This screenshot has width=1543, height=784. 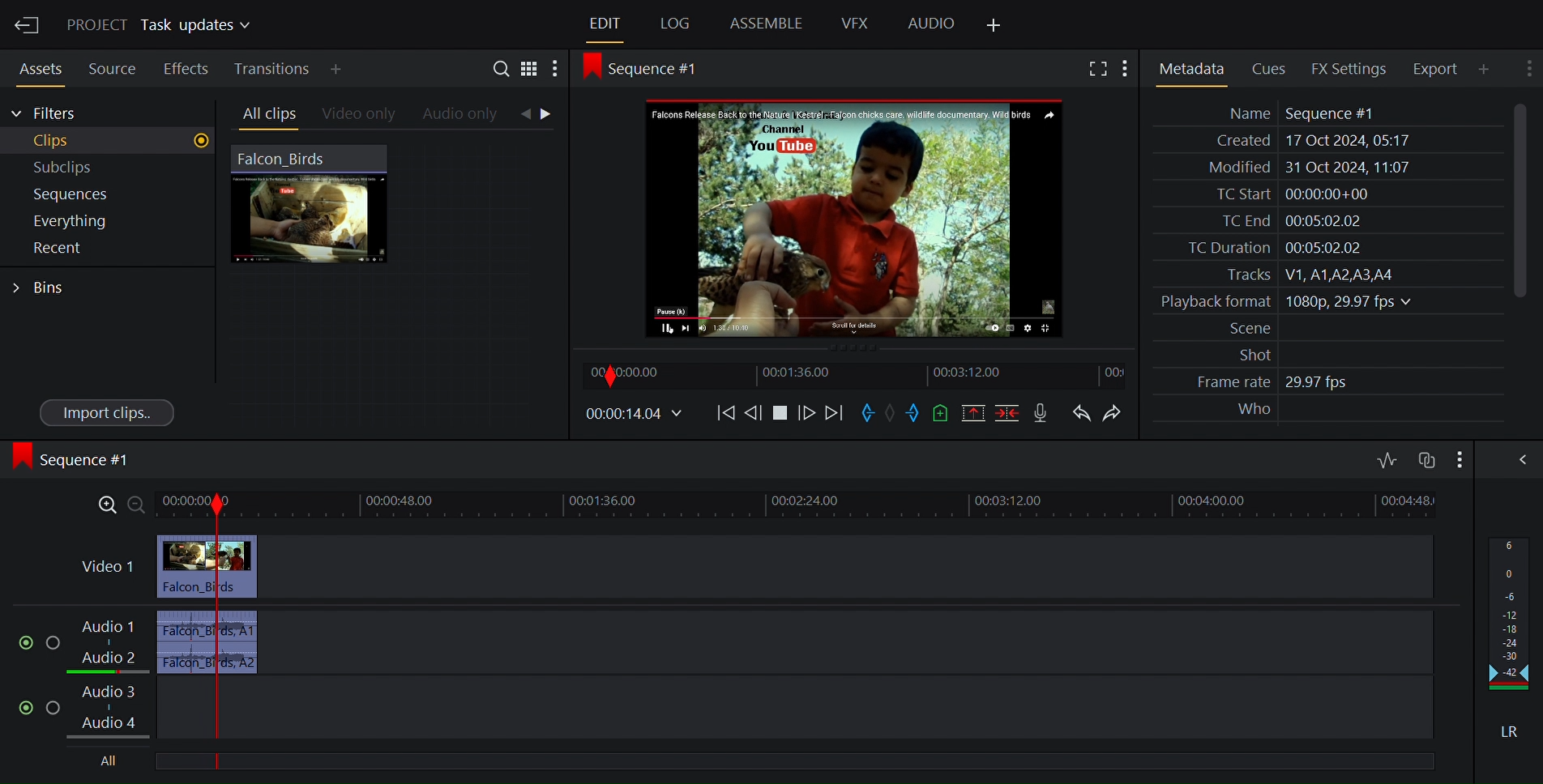 I want to click on Media Viewer, so click(x=853, y=217).